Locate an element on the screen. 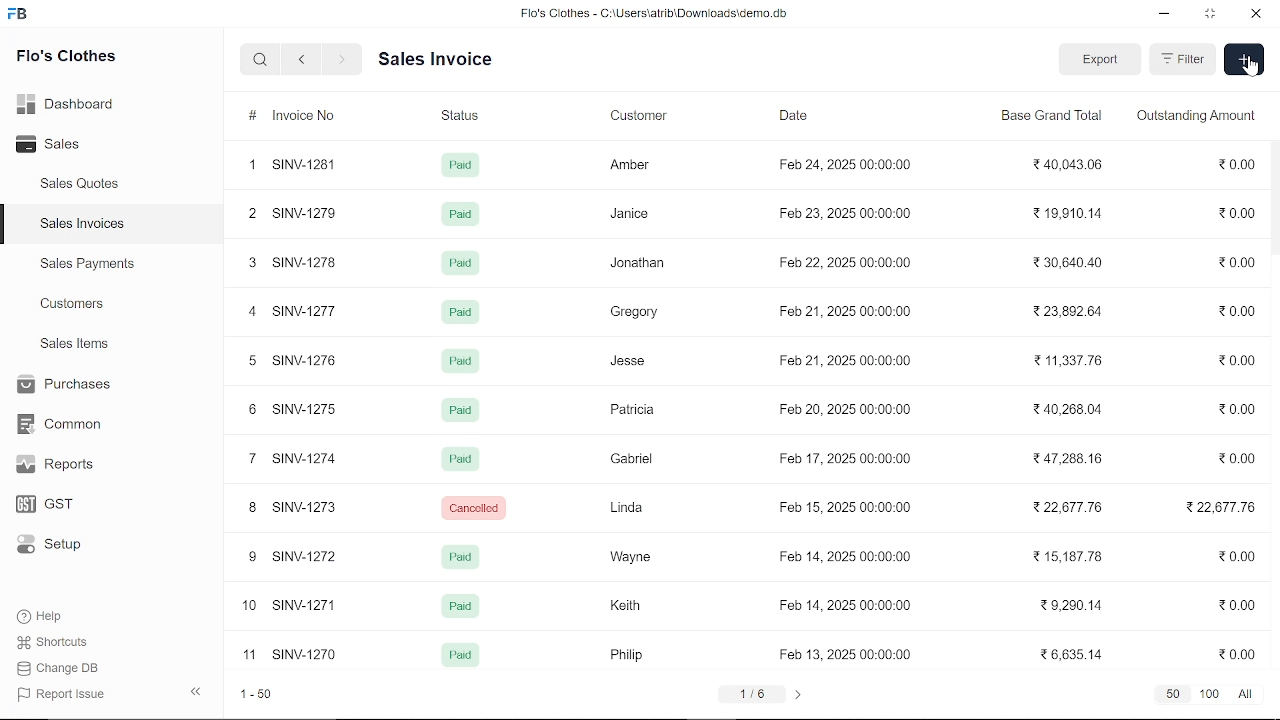  Purchases is located at coordinates (67, 386).